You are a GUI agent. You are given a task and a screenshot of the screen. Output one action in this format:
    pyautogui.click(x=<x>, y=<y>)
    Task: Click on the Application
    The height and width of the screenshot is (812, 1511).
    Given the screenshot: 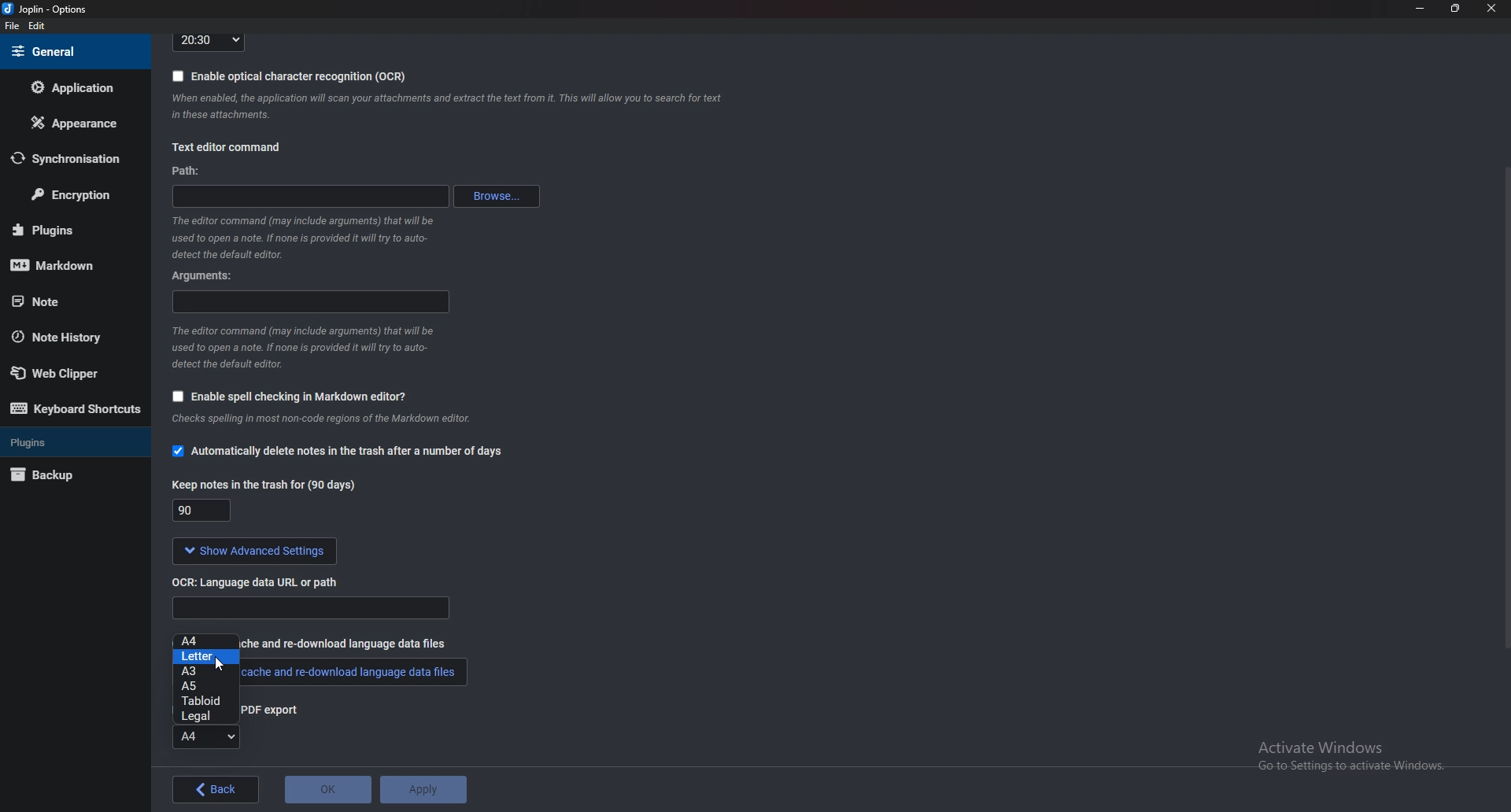 What is the action you would take?
    pyautogui.click(x=73, y=87)
    